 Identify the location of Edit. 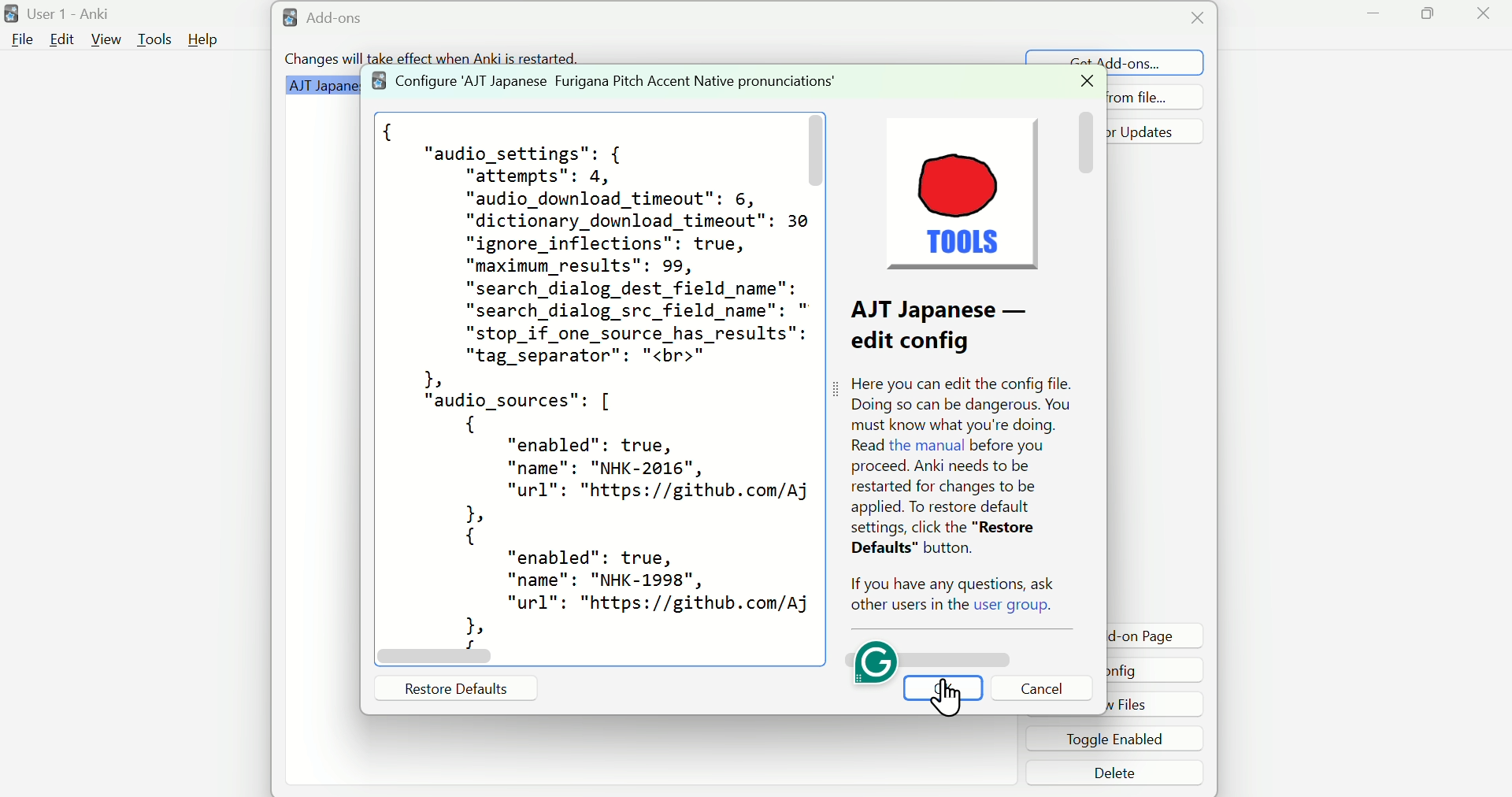
(59, 42).